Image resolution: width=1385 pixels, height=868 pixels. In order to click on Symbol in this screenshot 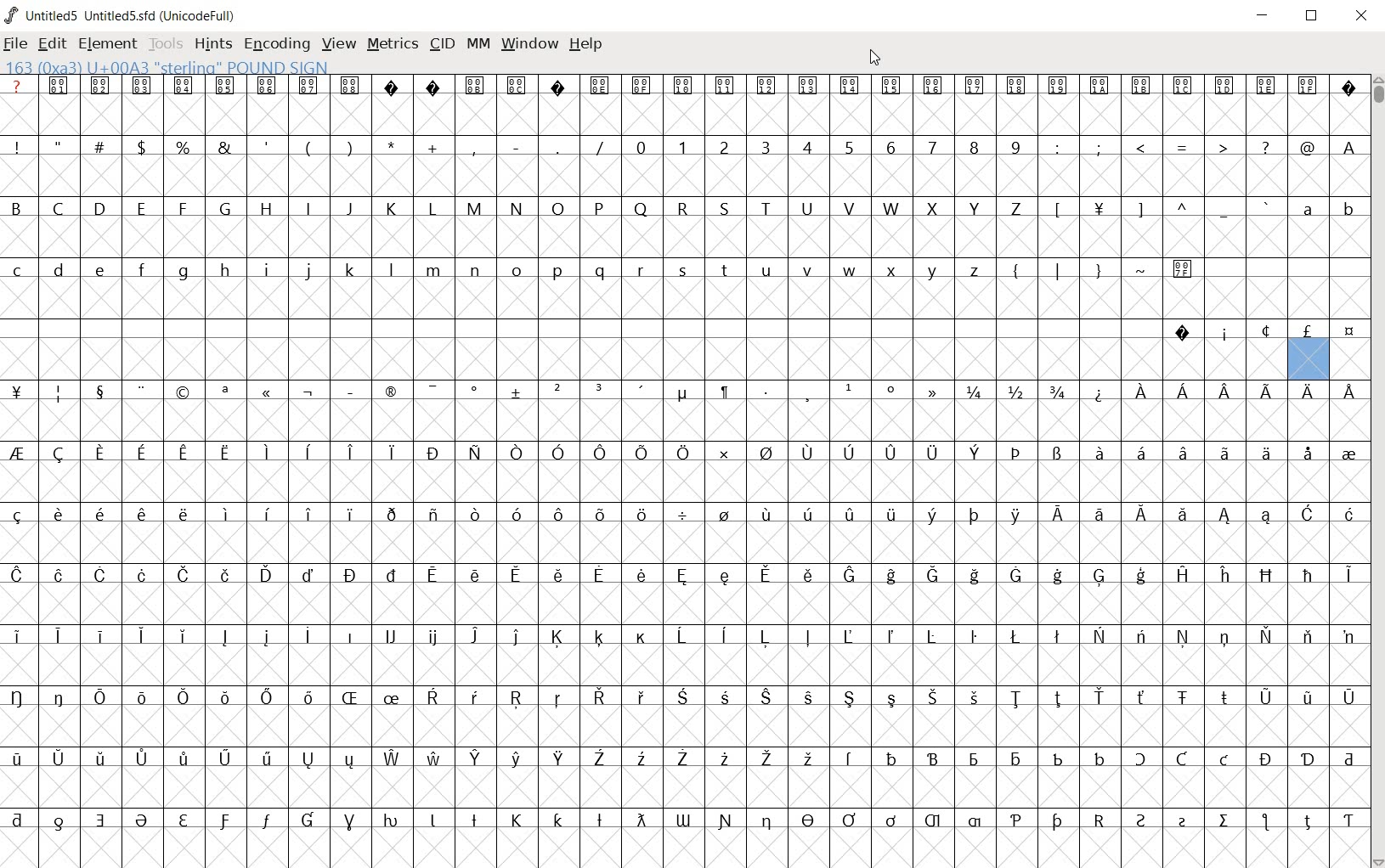, I will do `click(1102, 87)`.